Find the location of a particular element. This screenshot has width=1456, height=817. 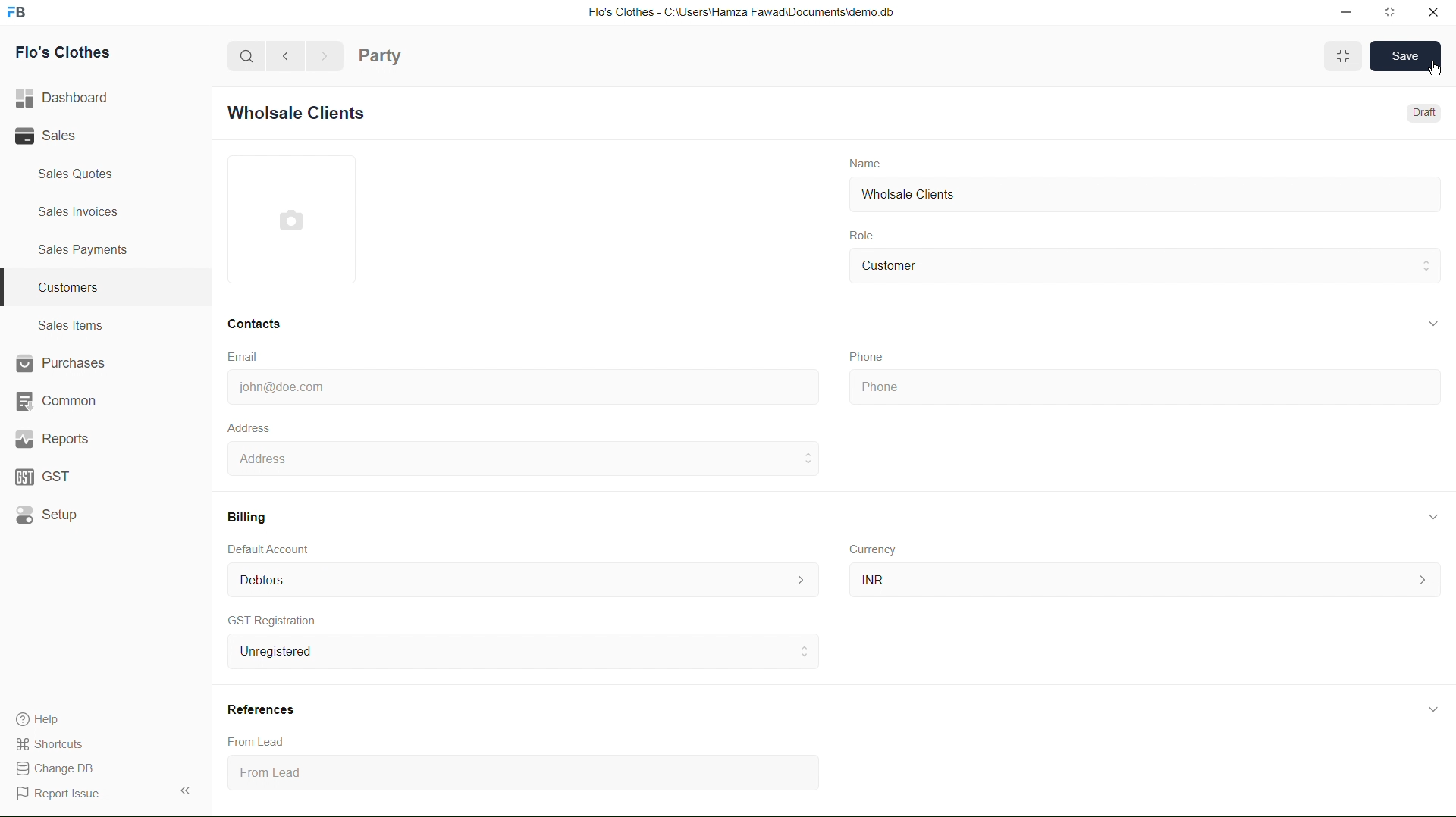

References is located at coordinates (263, 709).